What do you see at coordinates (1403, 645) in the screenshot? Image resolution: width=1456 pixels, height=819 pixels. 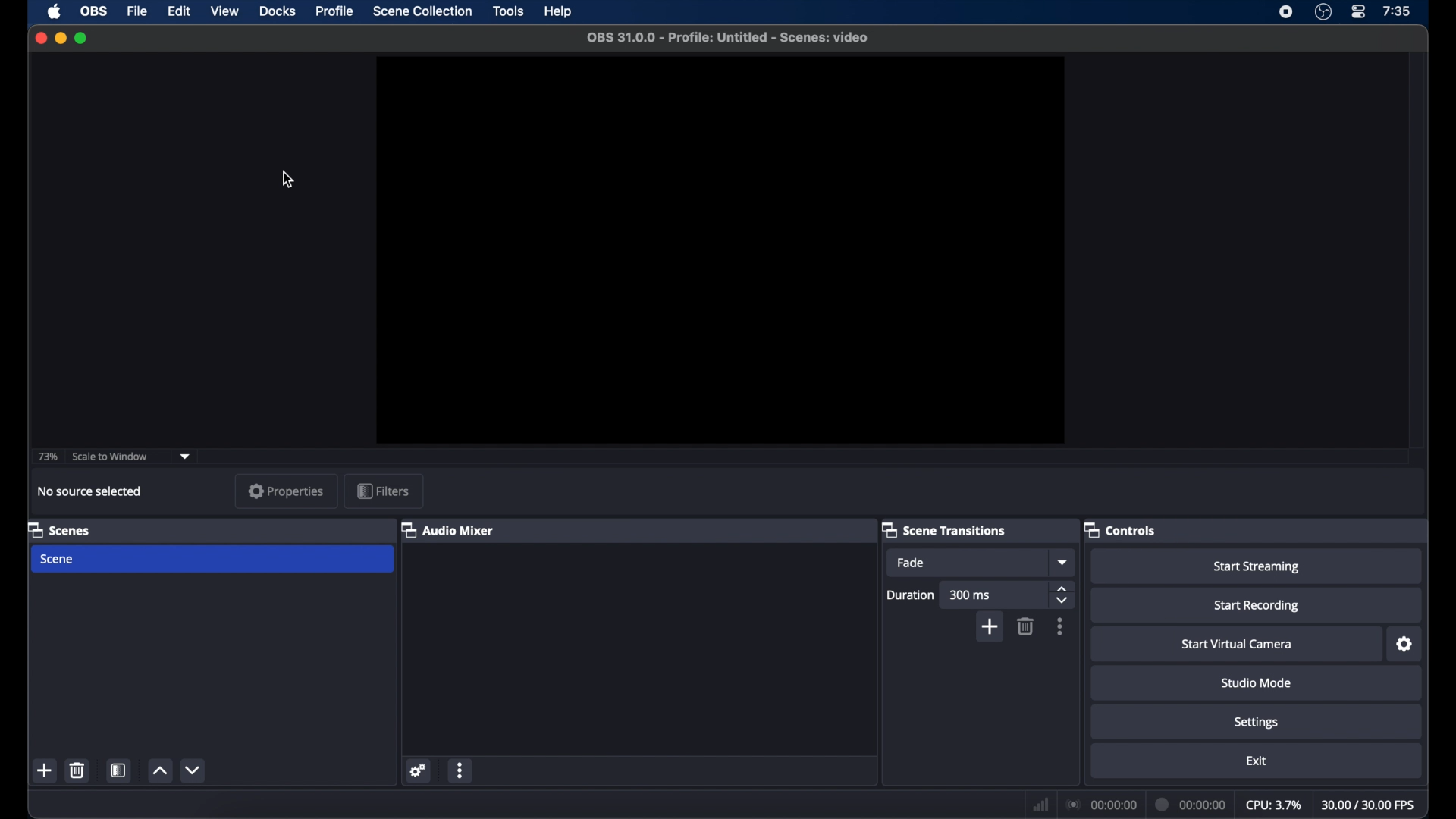 I see `settings` at bounding box center [1403, 645].